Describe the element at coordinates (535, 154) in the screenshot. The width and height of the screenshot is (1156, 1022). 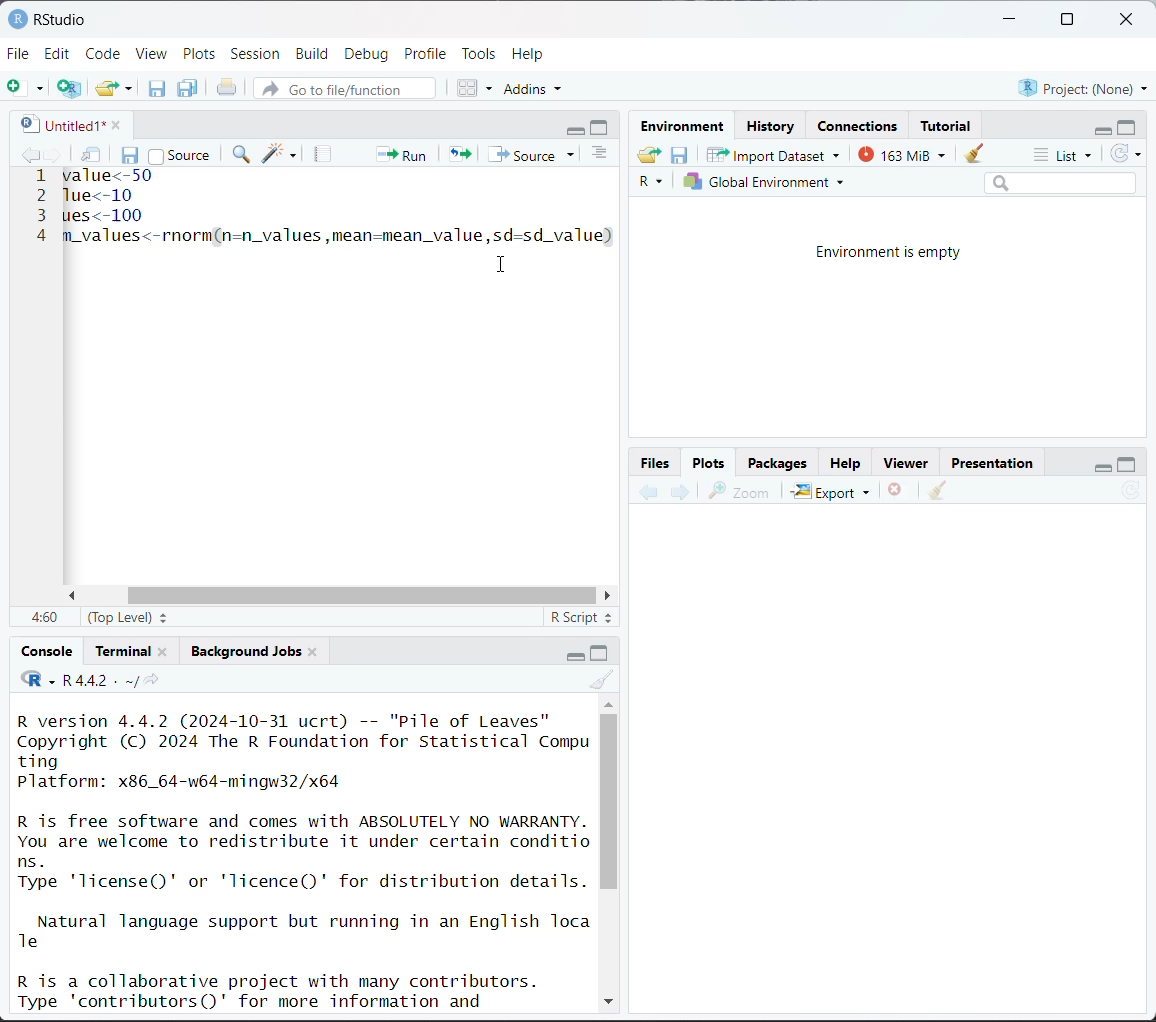
I see `source` at that location.